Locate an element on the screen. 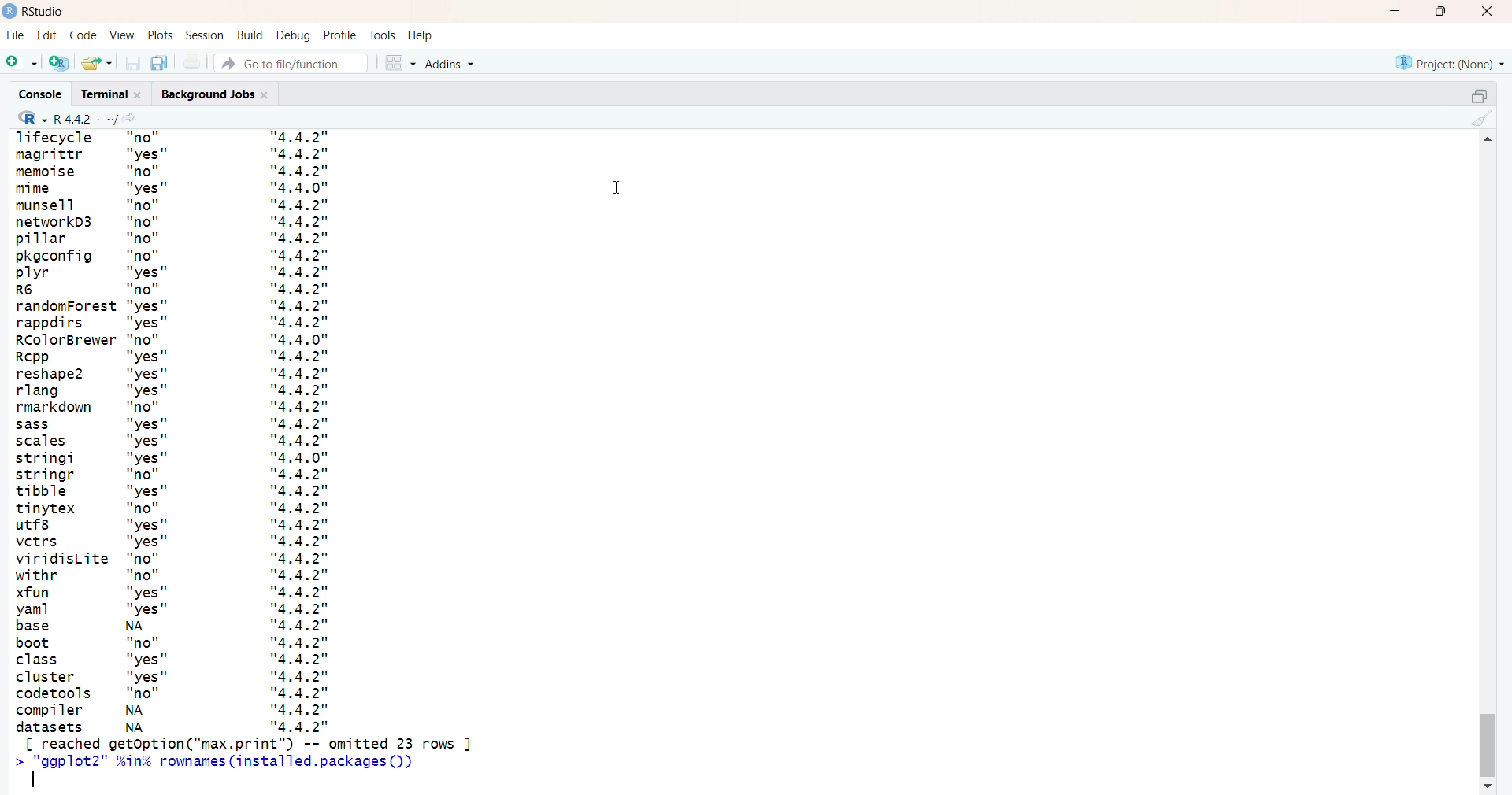 This screenshot has height=795, width=1512. File is located at coordinates (13, 37).